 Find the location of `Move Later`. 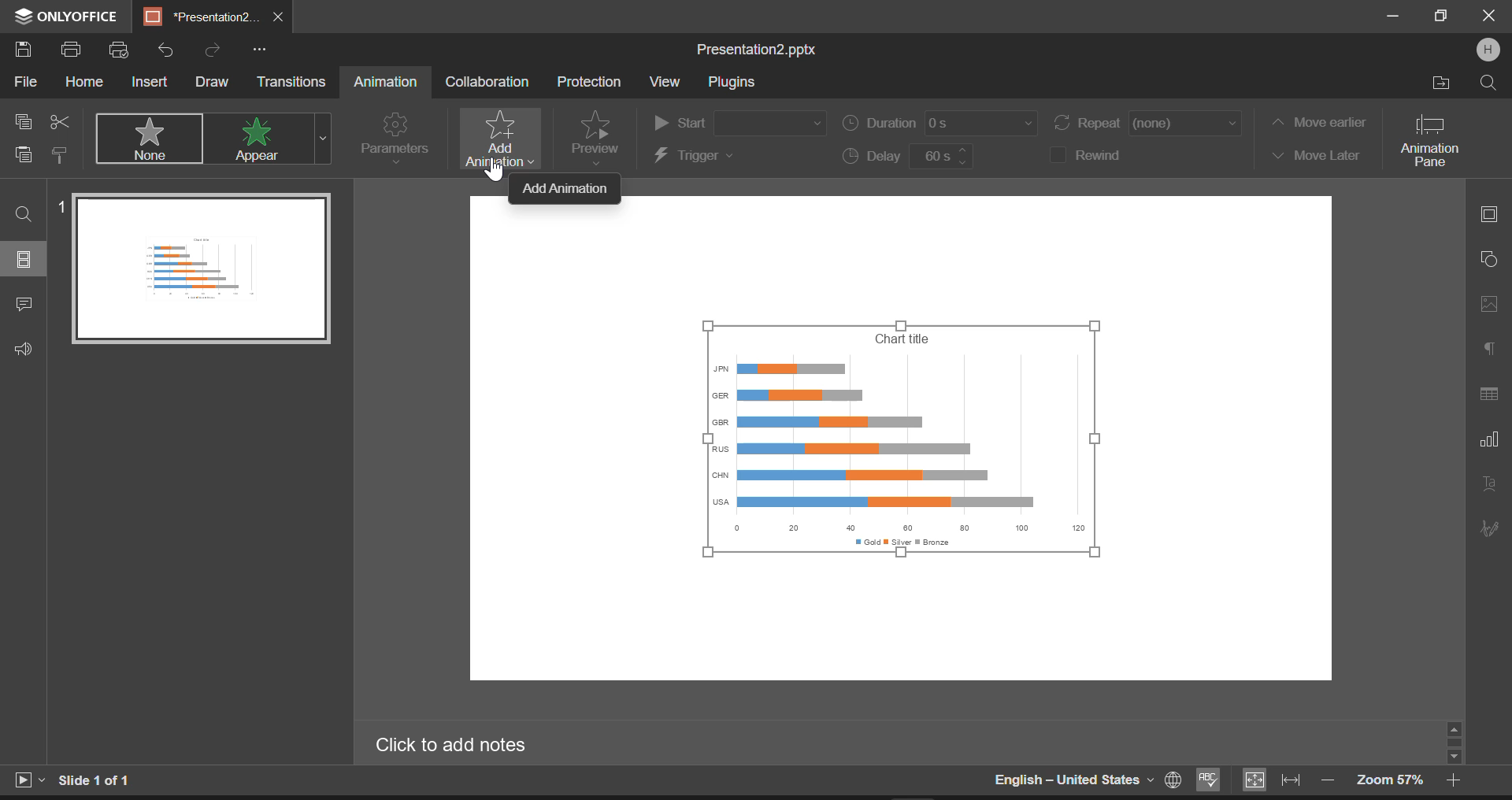

Move Later is located at coordinates (1315, 156).